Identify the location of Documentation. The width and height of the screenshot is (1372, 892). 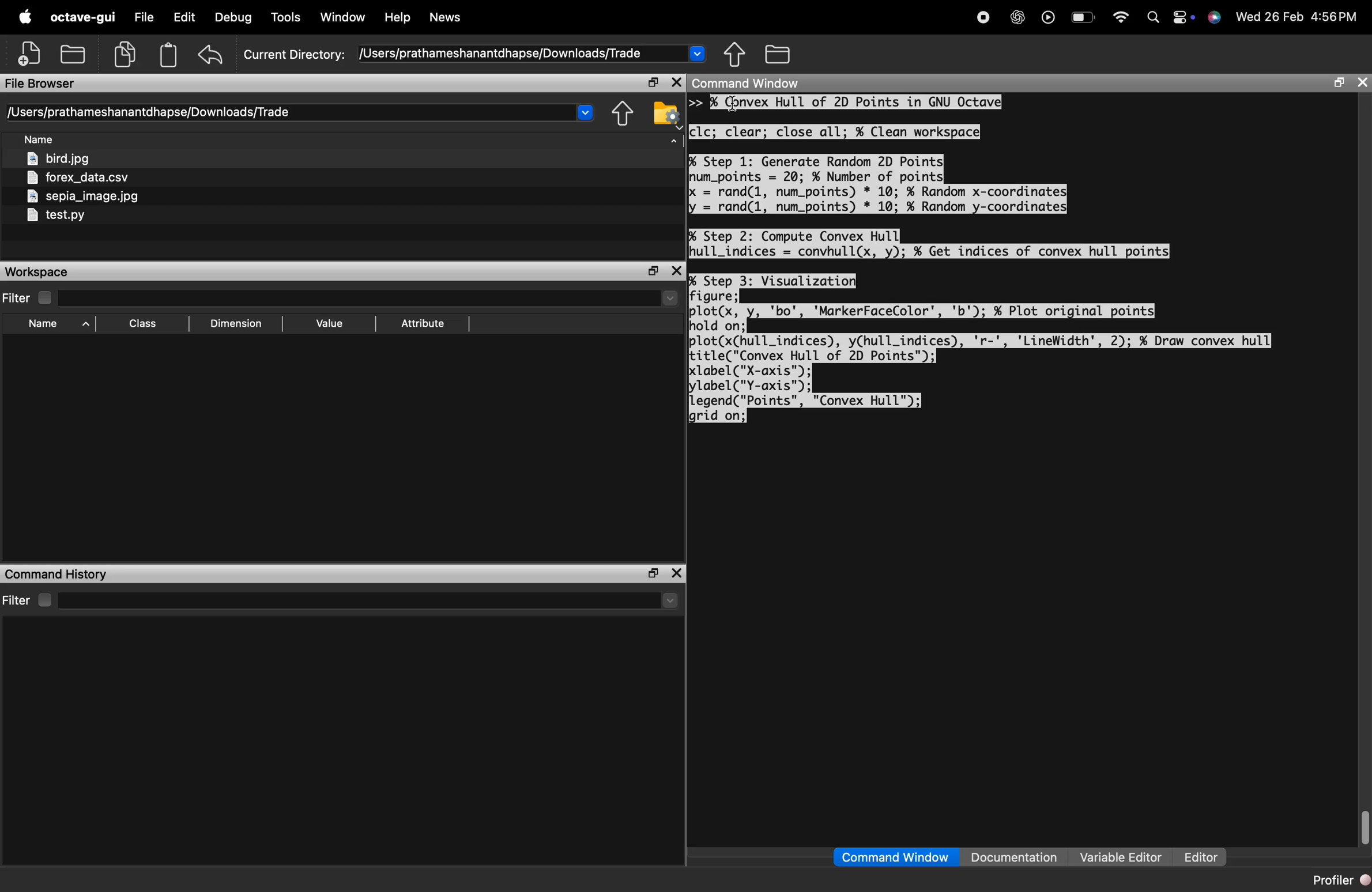
(1016, 858).